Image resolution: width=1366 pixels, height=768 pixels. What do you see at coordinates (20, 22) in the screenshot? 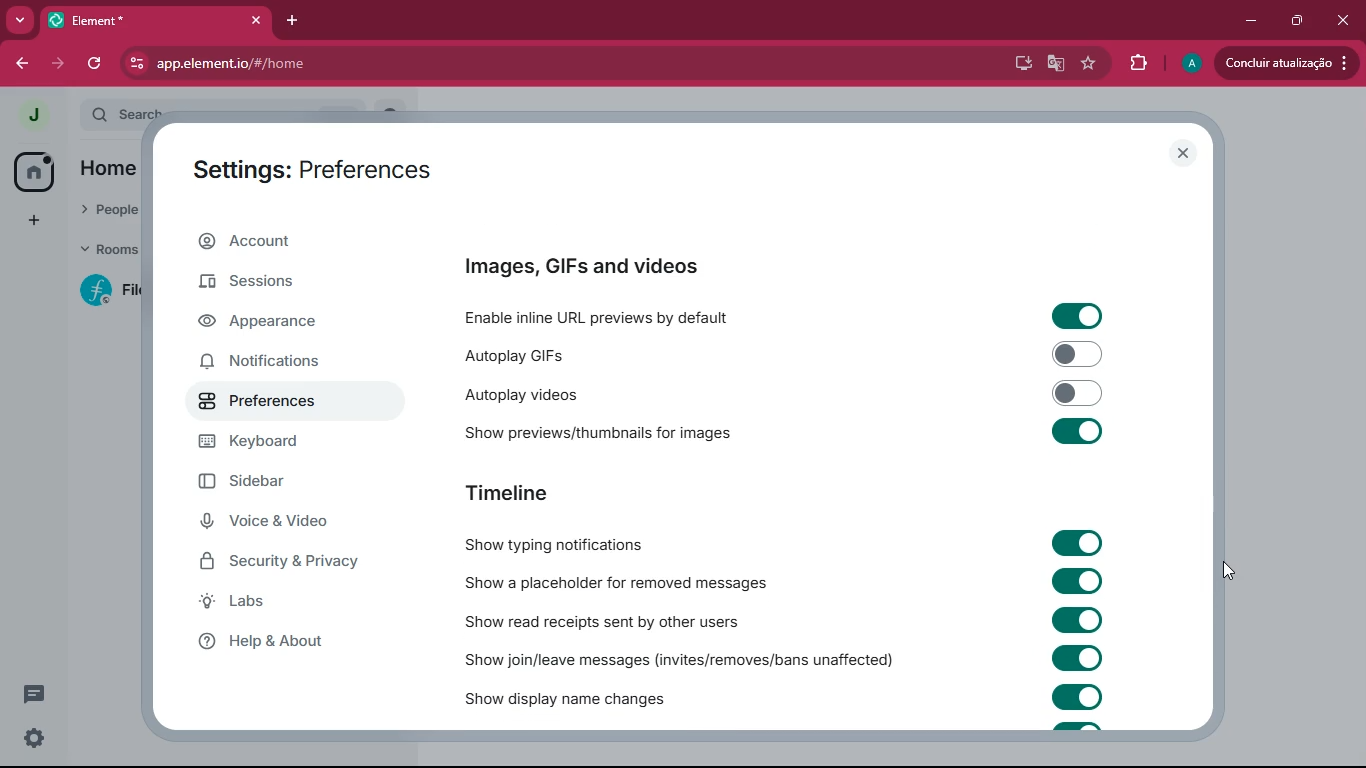
I see `more` at bounding box center [20, 22].